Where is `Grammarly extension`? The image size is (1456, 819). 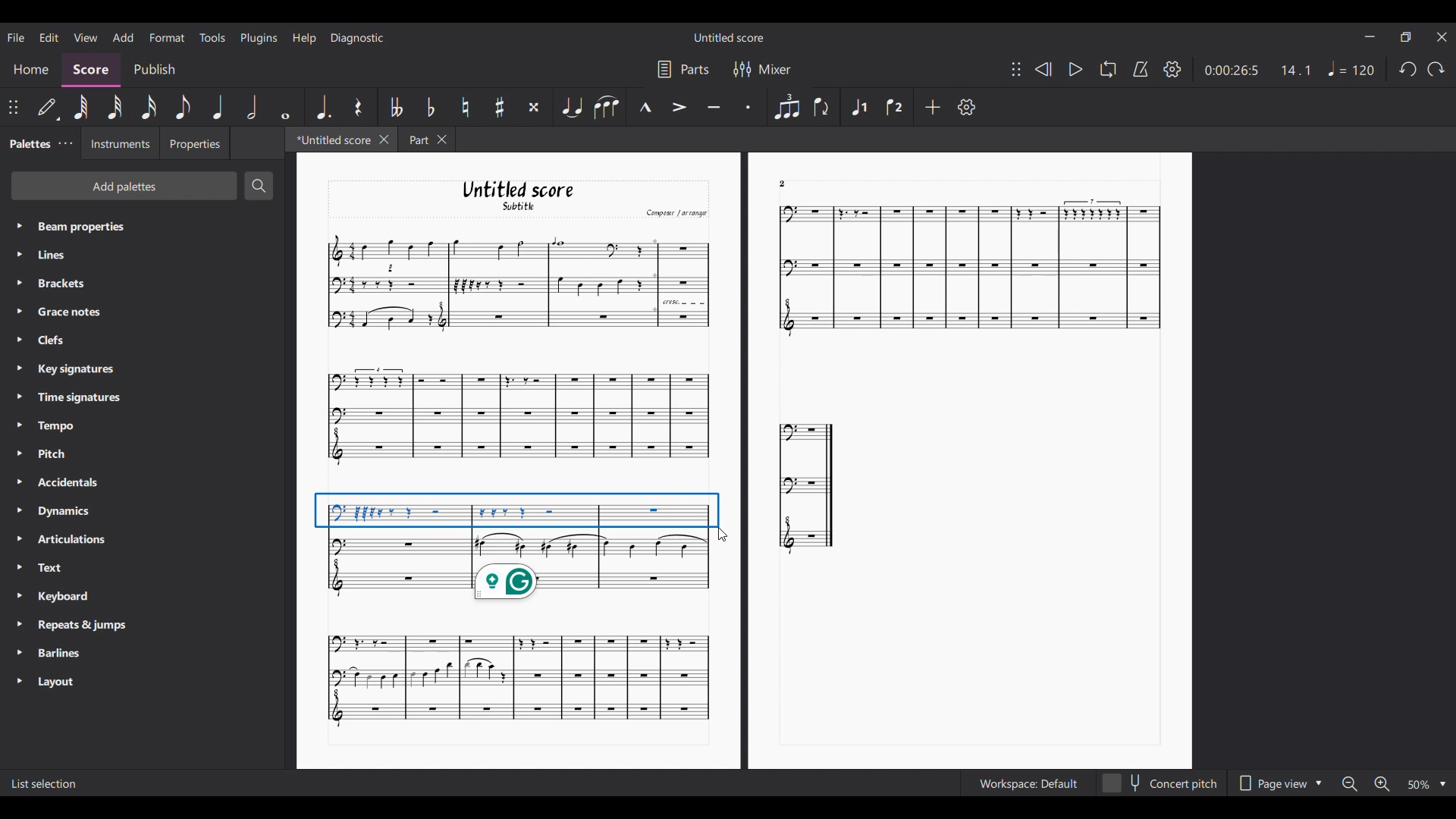
Grammarly extension is located at coordinates (506, 582).